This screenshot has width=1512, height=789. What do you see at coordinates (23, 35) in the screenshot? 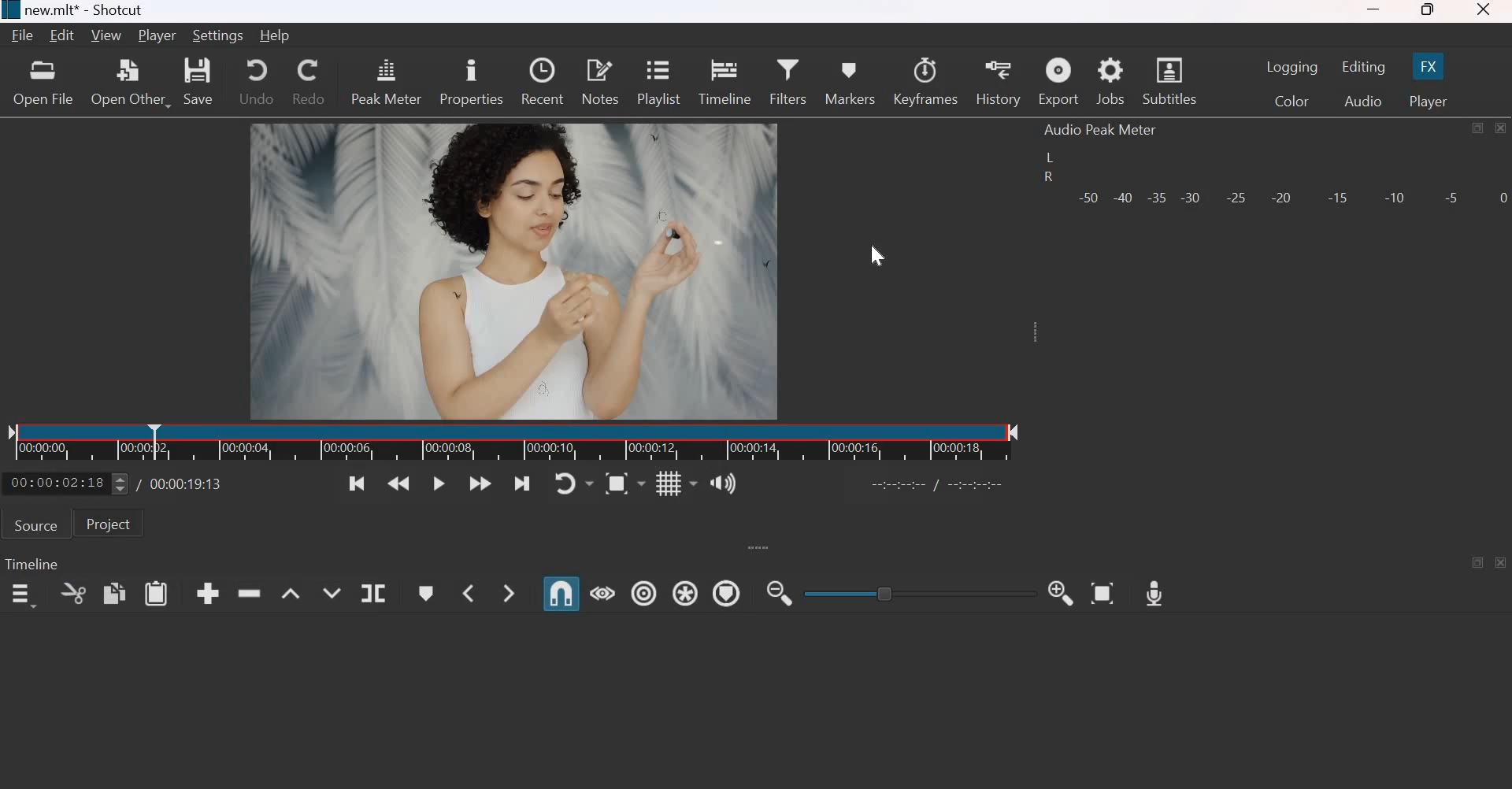
I see `File` at bounding box center [23, 35].